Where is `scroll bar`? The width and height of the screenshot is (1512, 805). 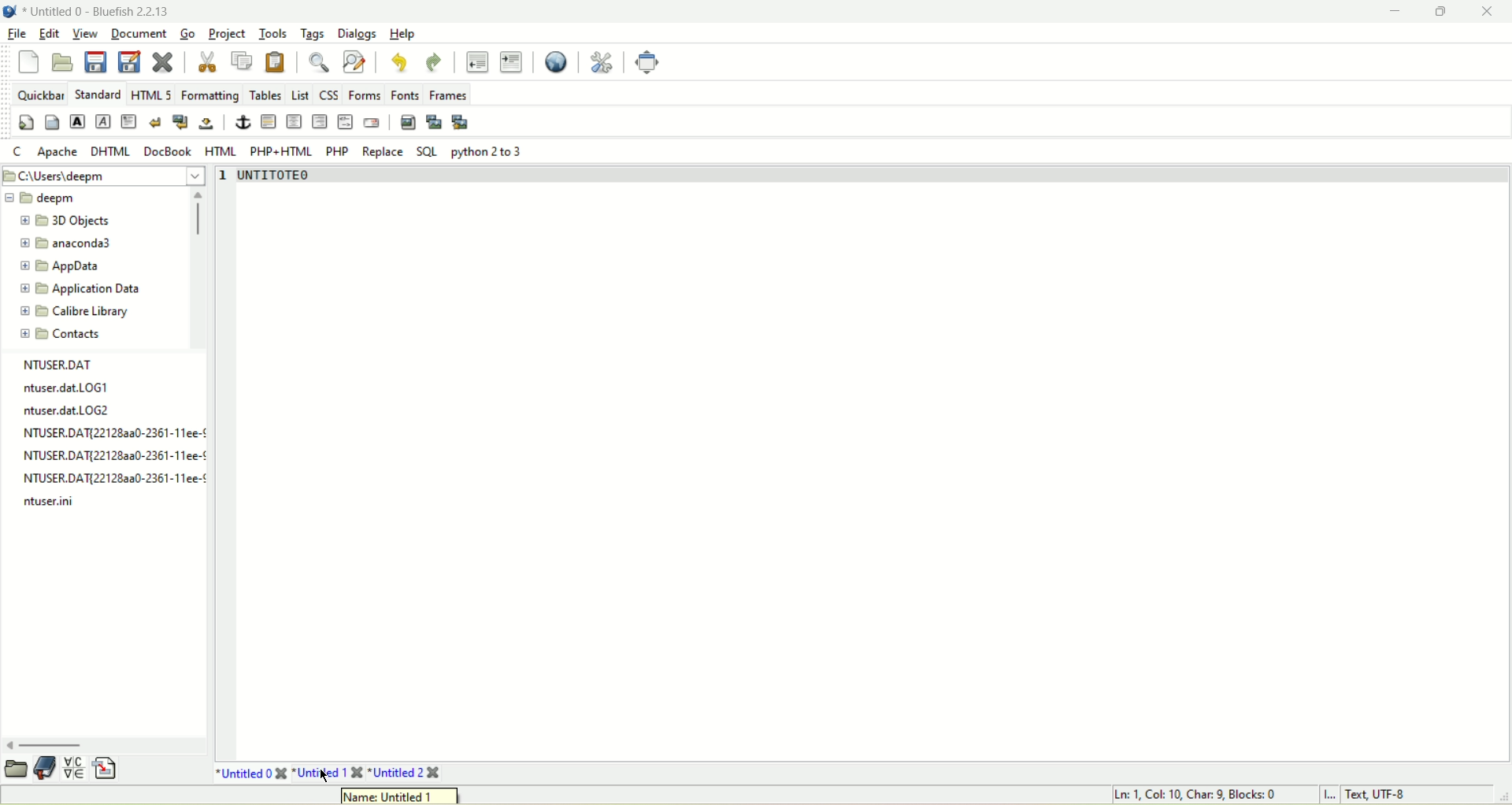 scroll bar is located at coordinates (198, 215).